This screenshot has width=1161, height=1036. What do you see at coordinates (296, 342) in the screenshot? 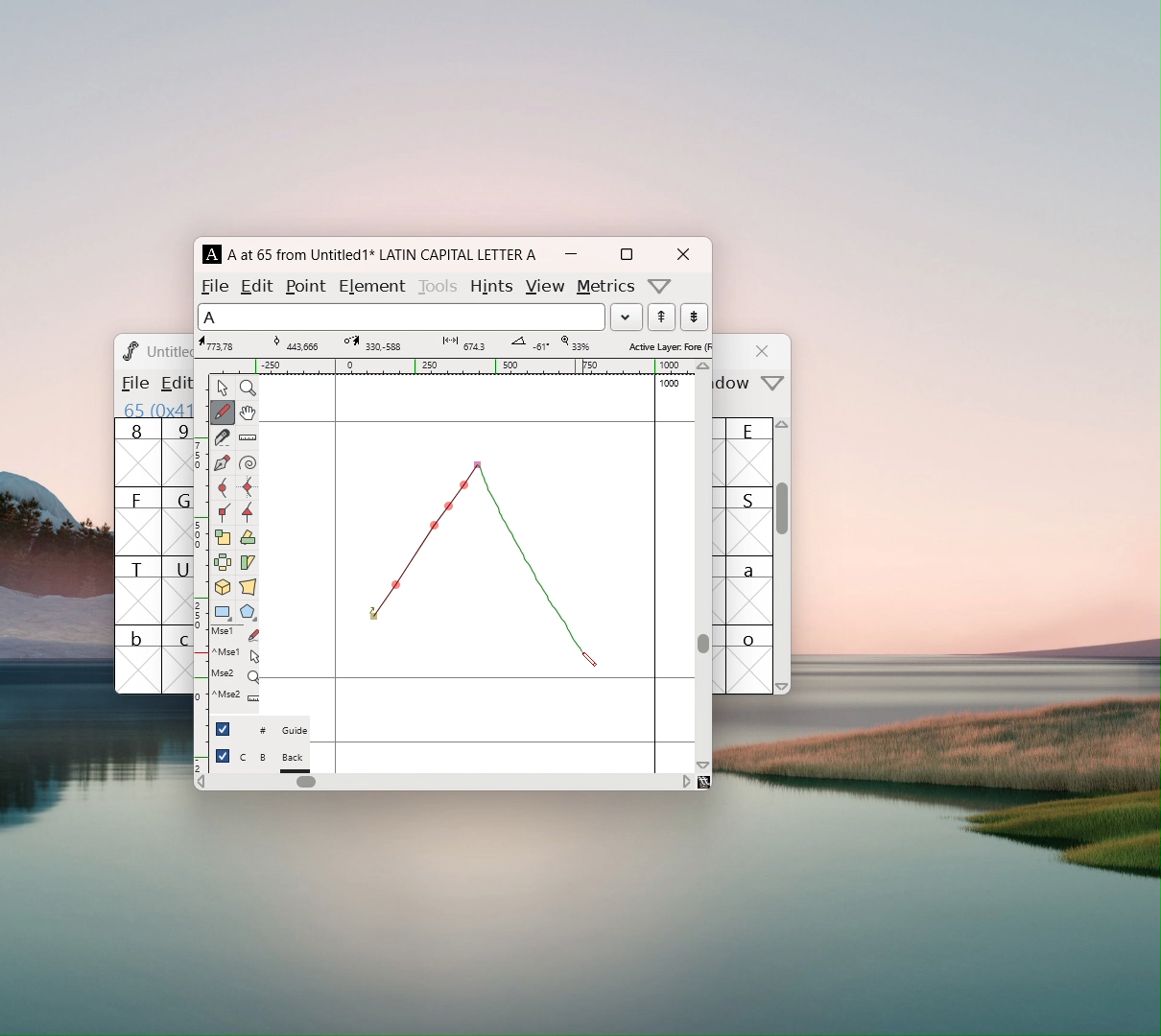
I see `tangent` at bounding box center [296, 342].